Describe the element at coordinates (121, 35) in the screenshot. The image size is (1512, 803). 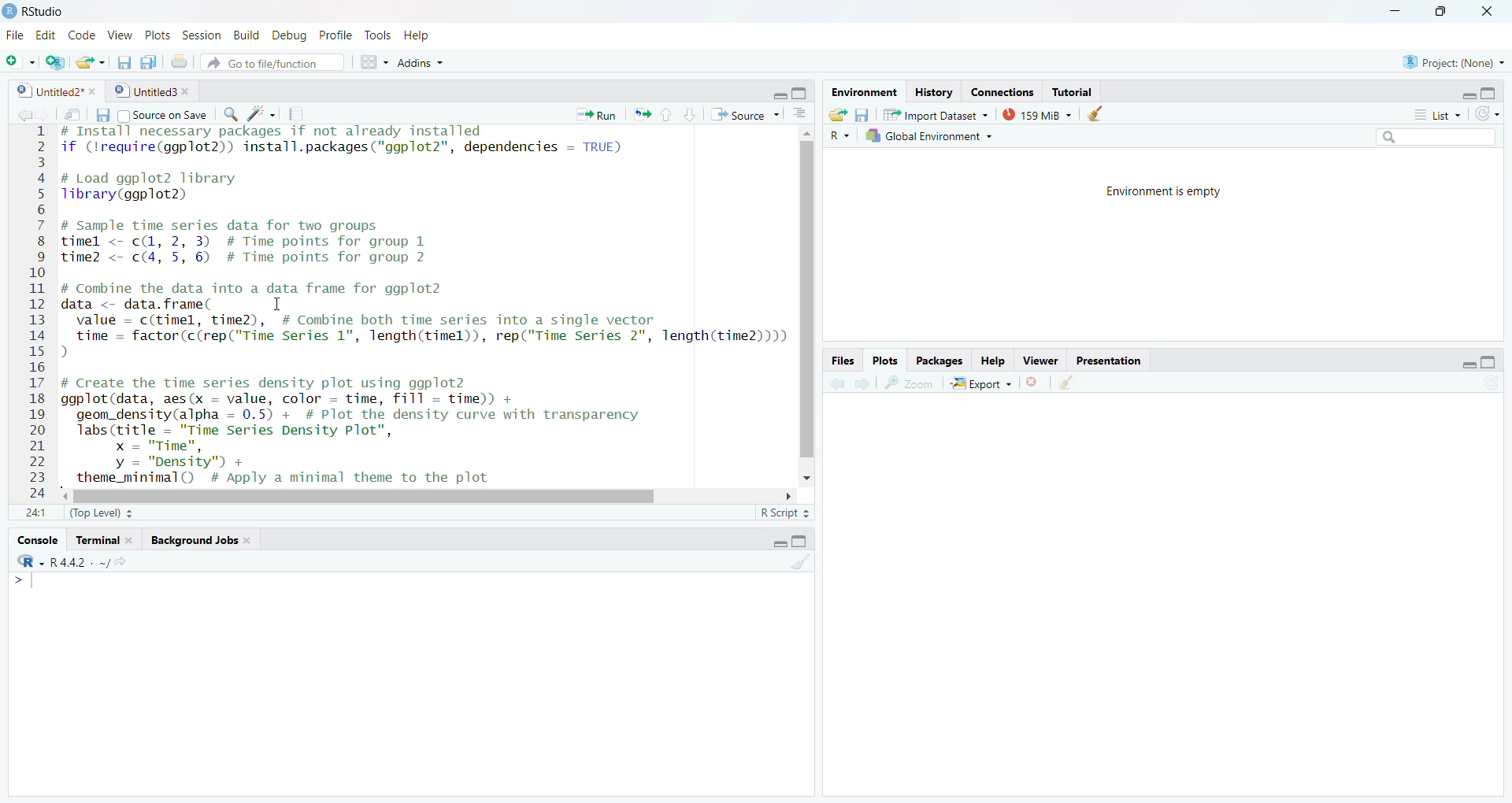
I see `View` at that location.